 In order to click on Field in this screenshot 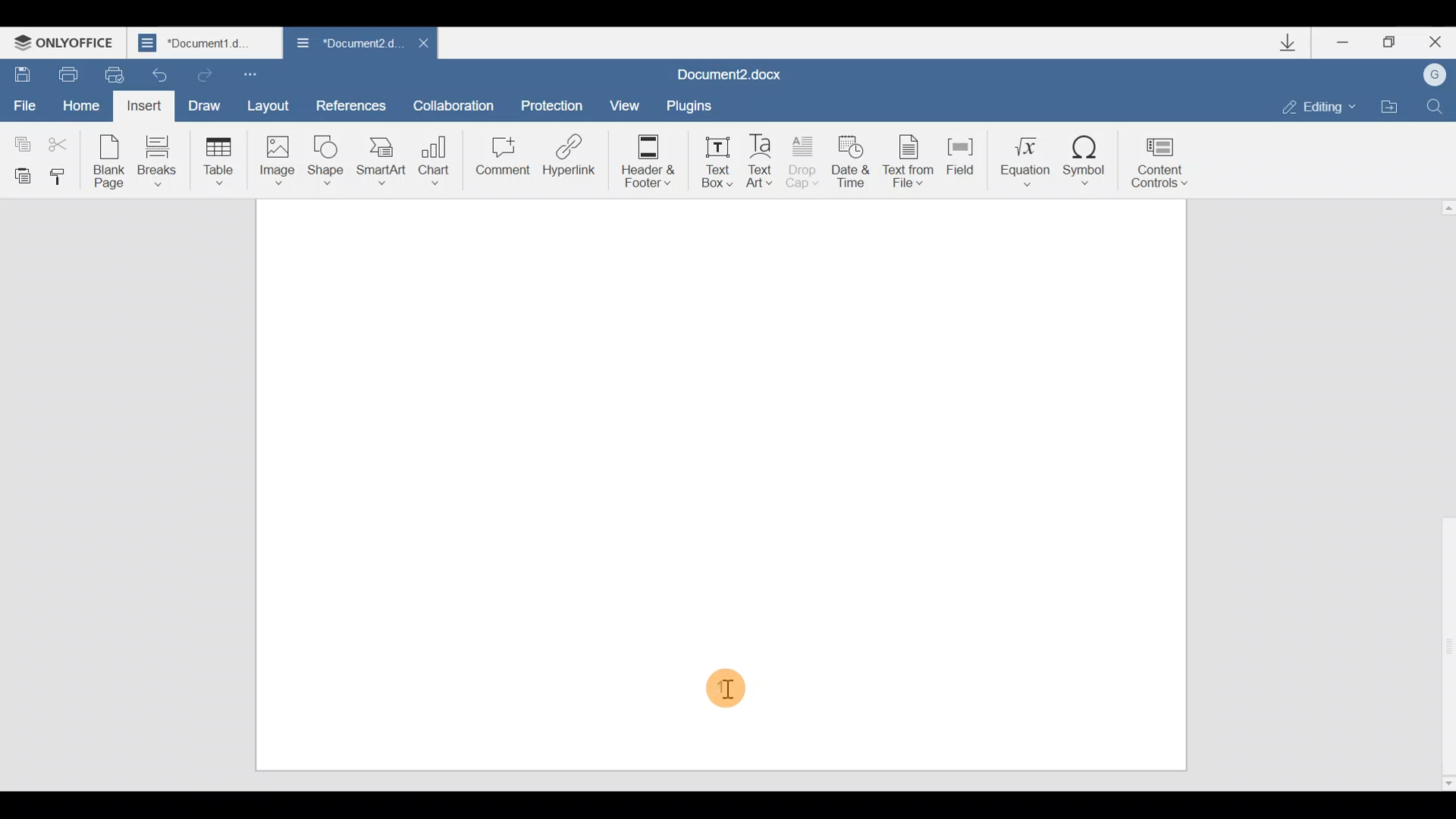, I will do `click(956, 162)`.